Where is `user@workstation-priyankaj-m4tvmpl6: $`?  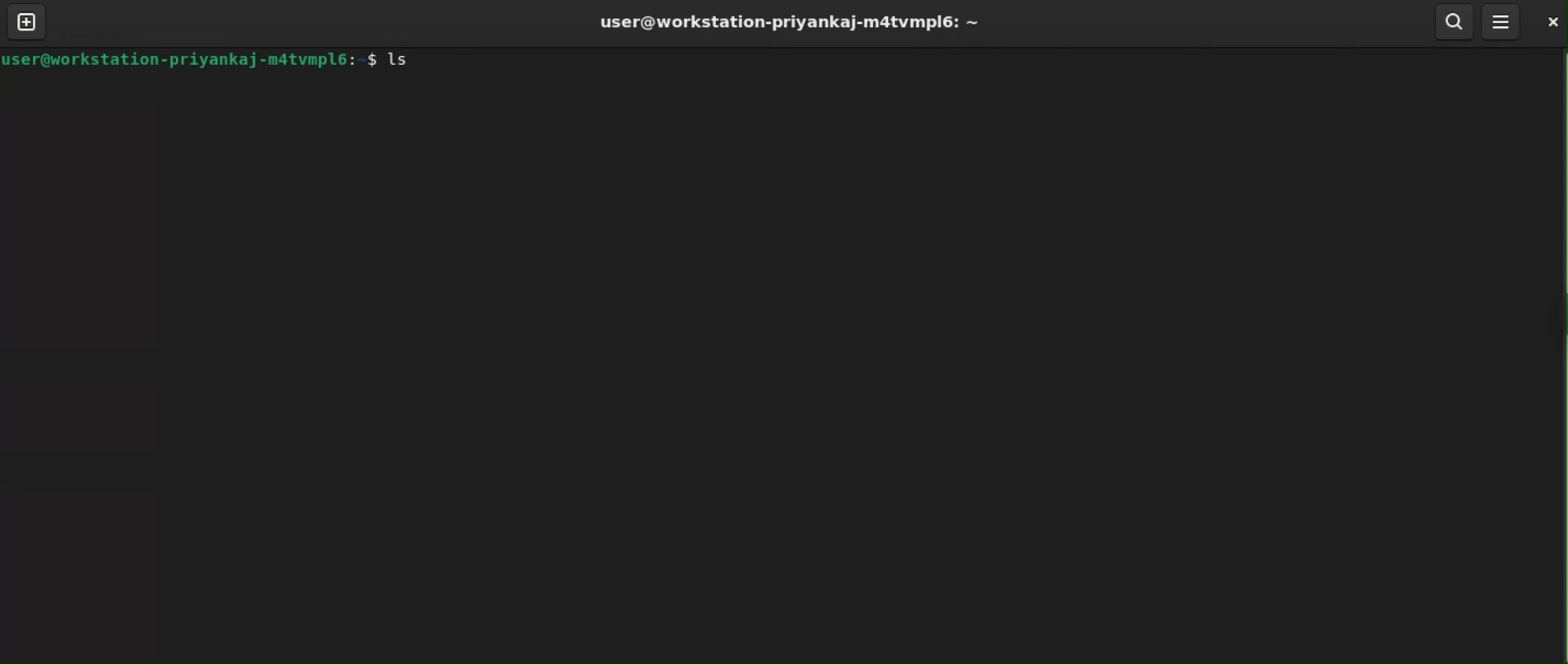 user@workstation-priyankaj-m4tvmpl6: $ is located at coordinates (188, 58).